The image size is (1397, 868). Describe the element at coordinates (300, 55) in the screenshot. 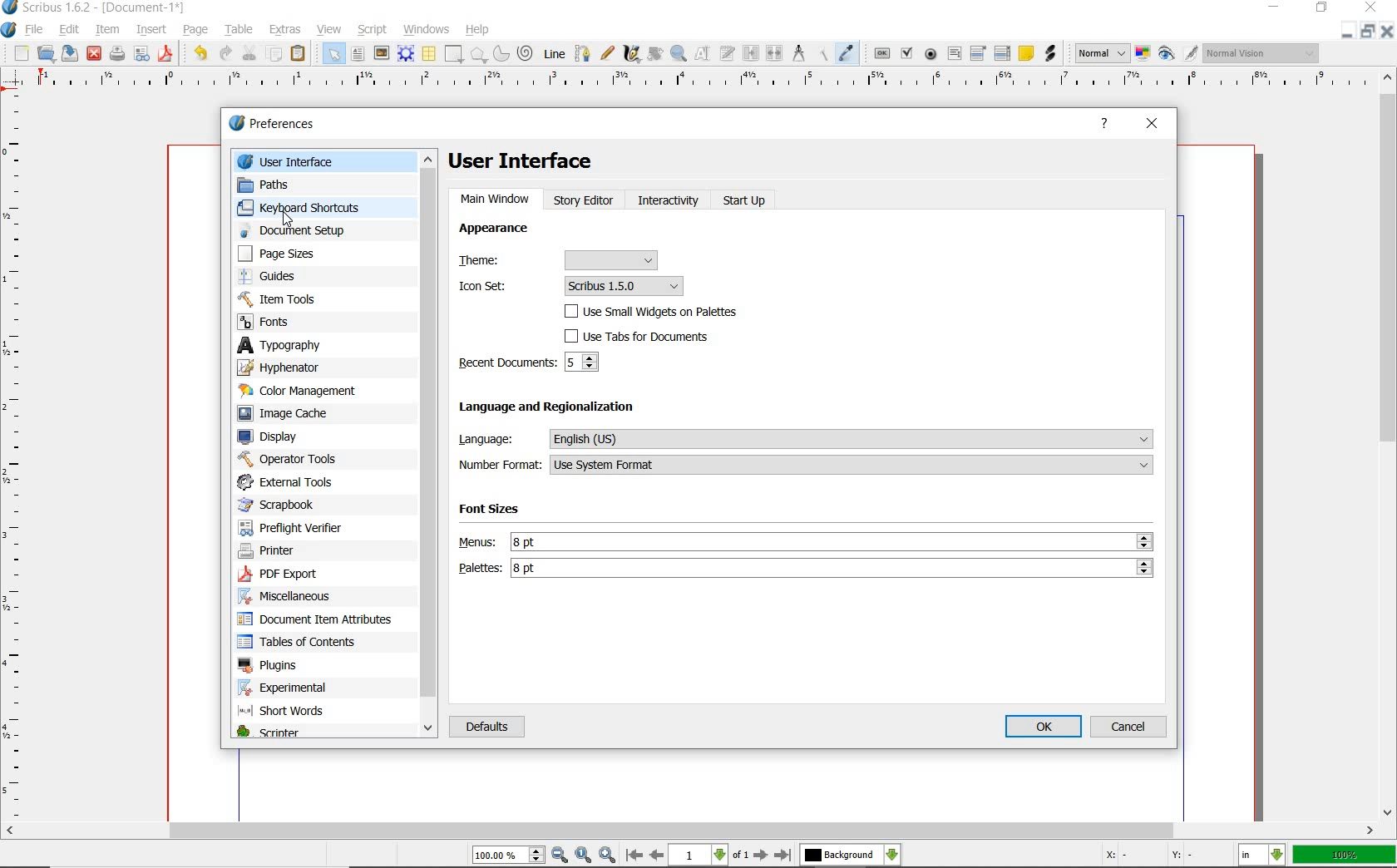

I see `paste` at that location.